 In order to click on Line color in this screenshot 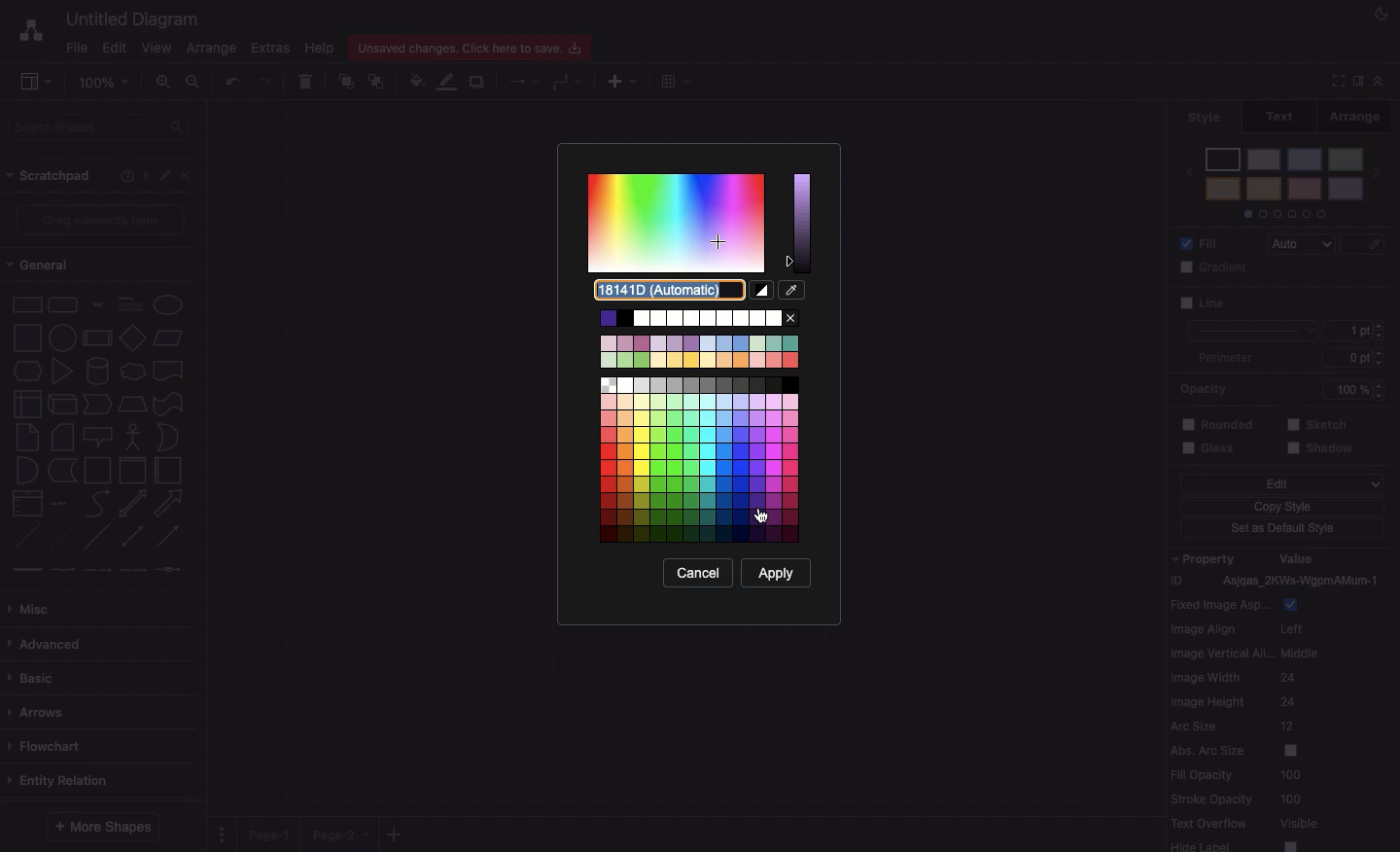, I will do `click(1367, 240)`.